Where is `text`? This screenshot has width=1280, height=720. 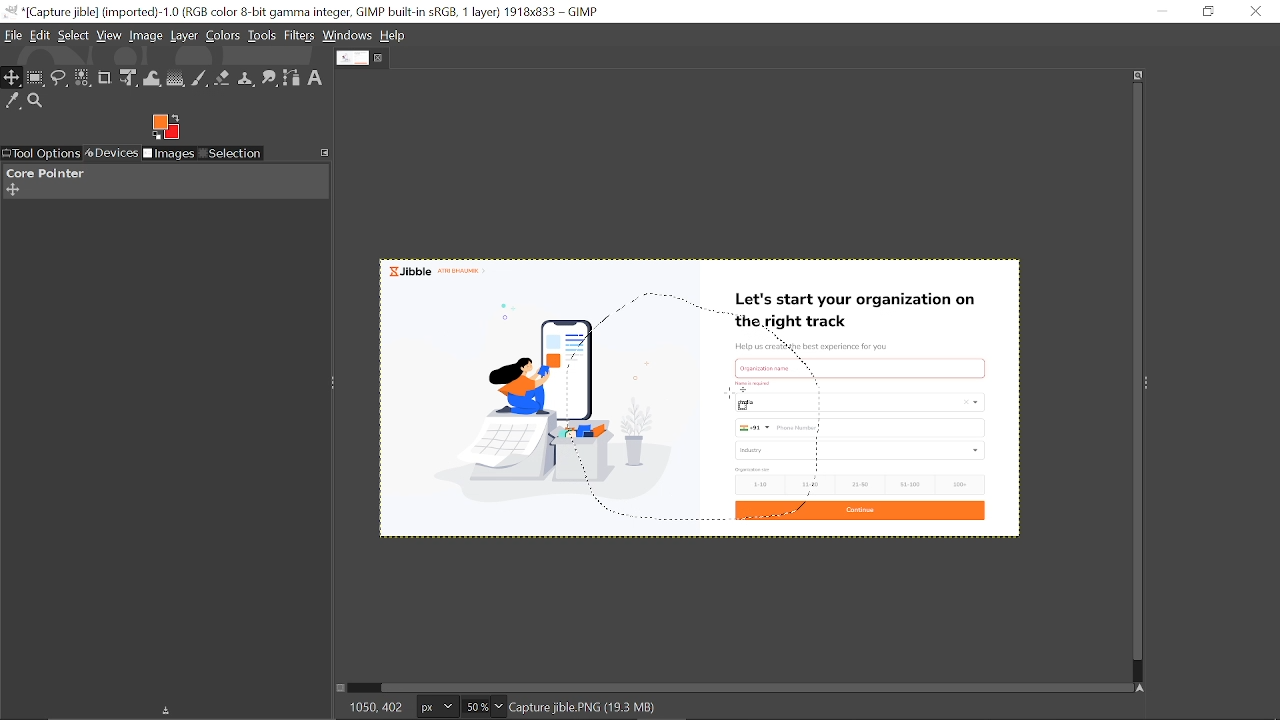
text is located at coordinates (779, 367).